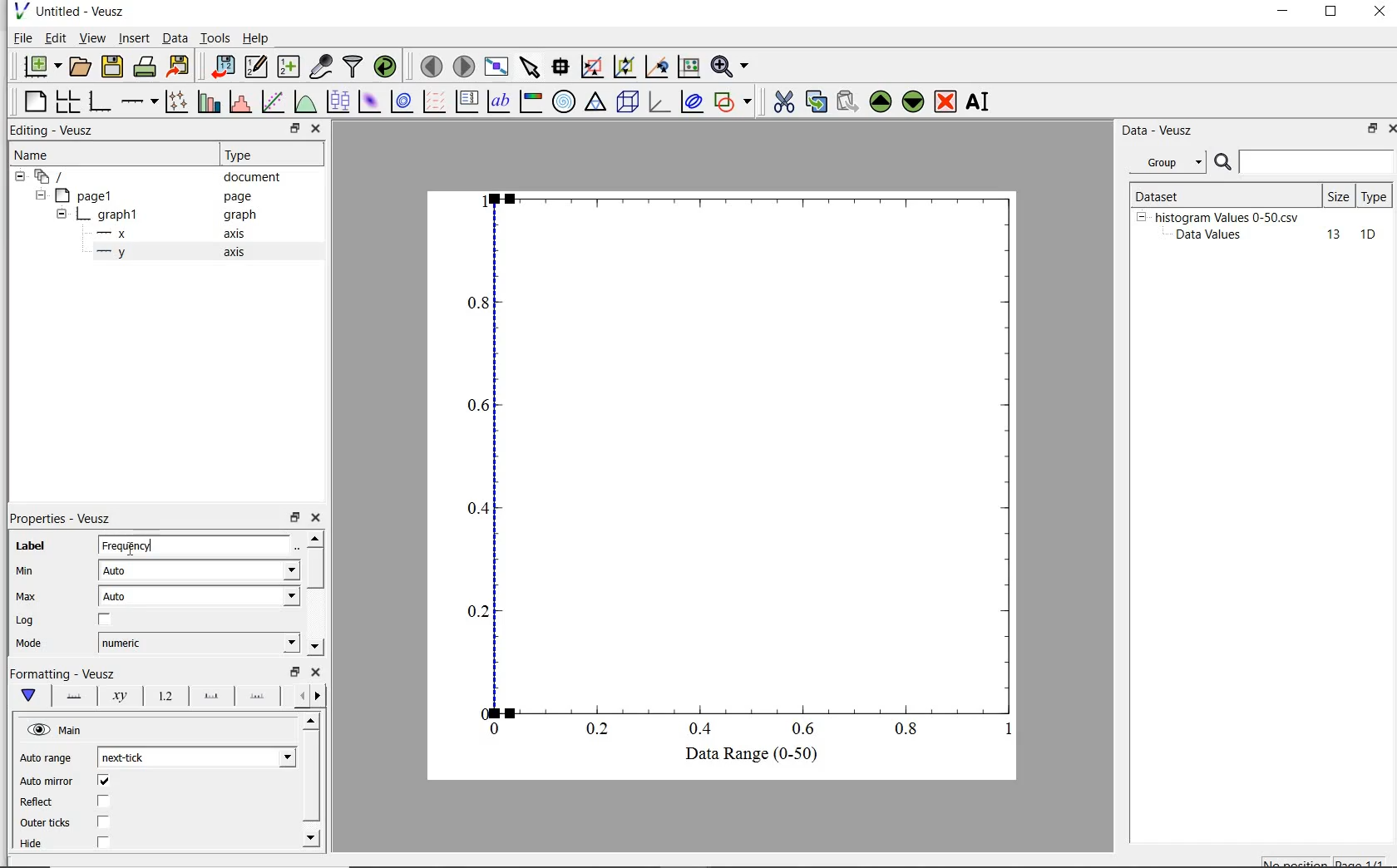 The image size is (1397, 868). I want to click on label, so click(31, 546).